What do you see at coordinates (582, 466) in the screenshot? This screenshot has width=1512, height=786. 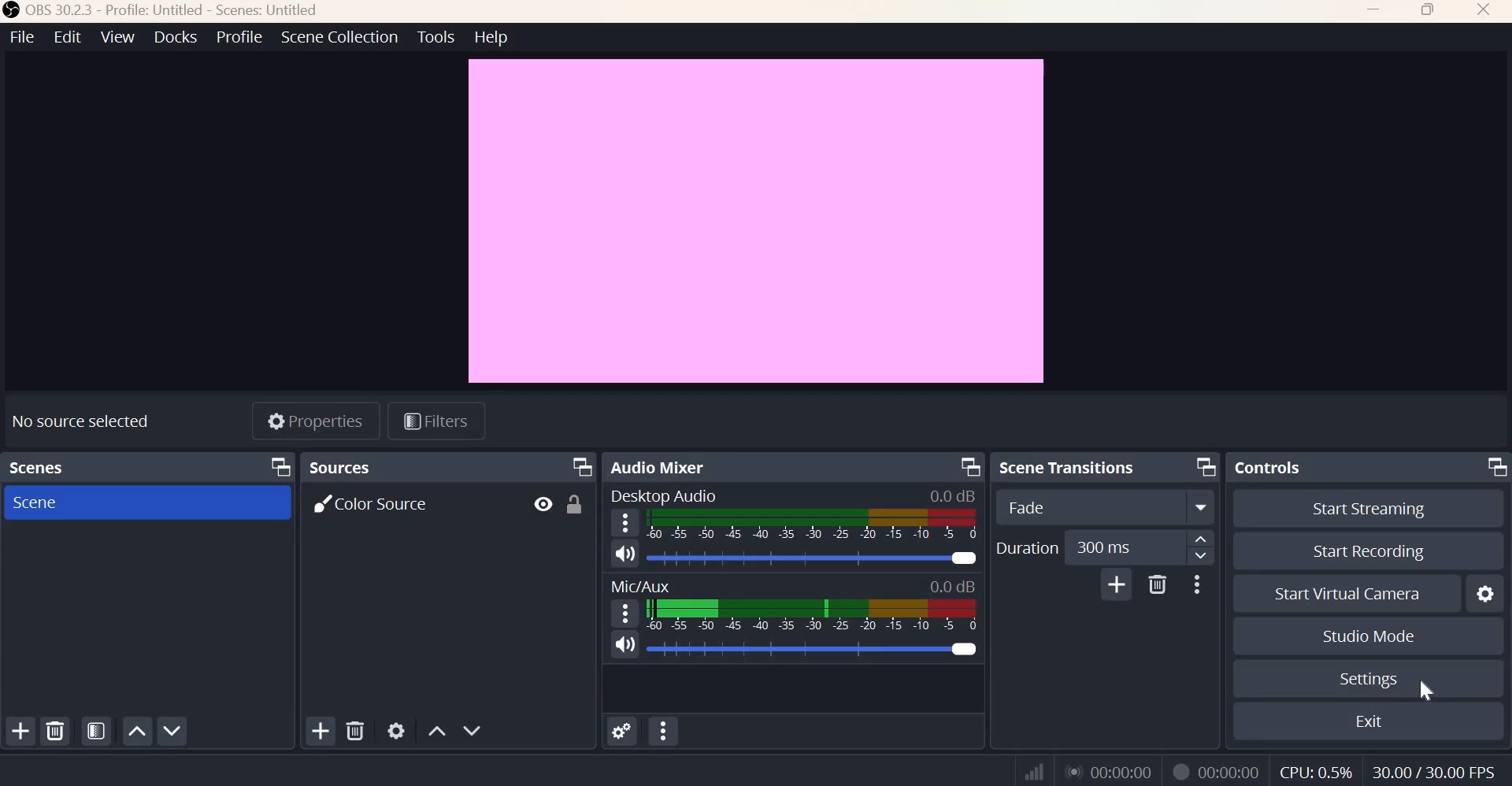 I see `Dock Options icon` at bounding box center [582, 466].